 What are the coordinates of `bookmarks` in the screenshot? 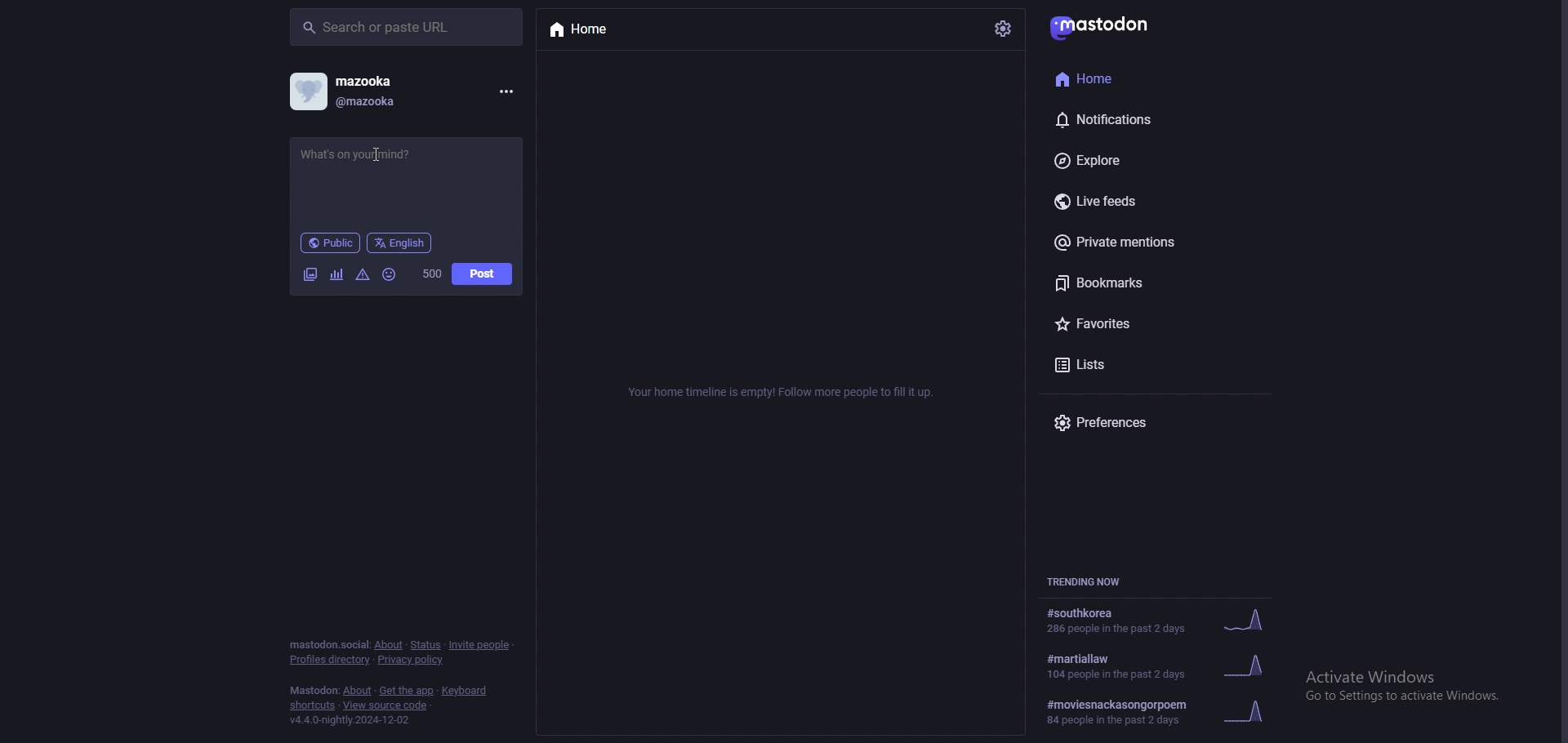 It's located at (1157, 286).